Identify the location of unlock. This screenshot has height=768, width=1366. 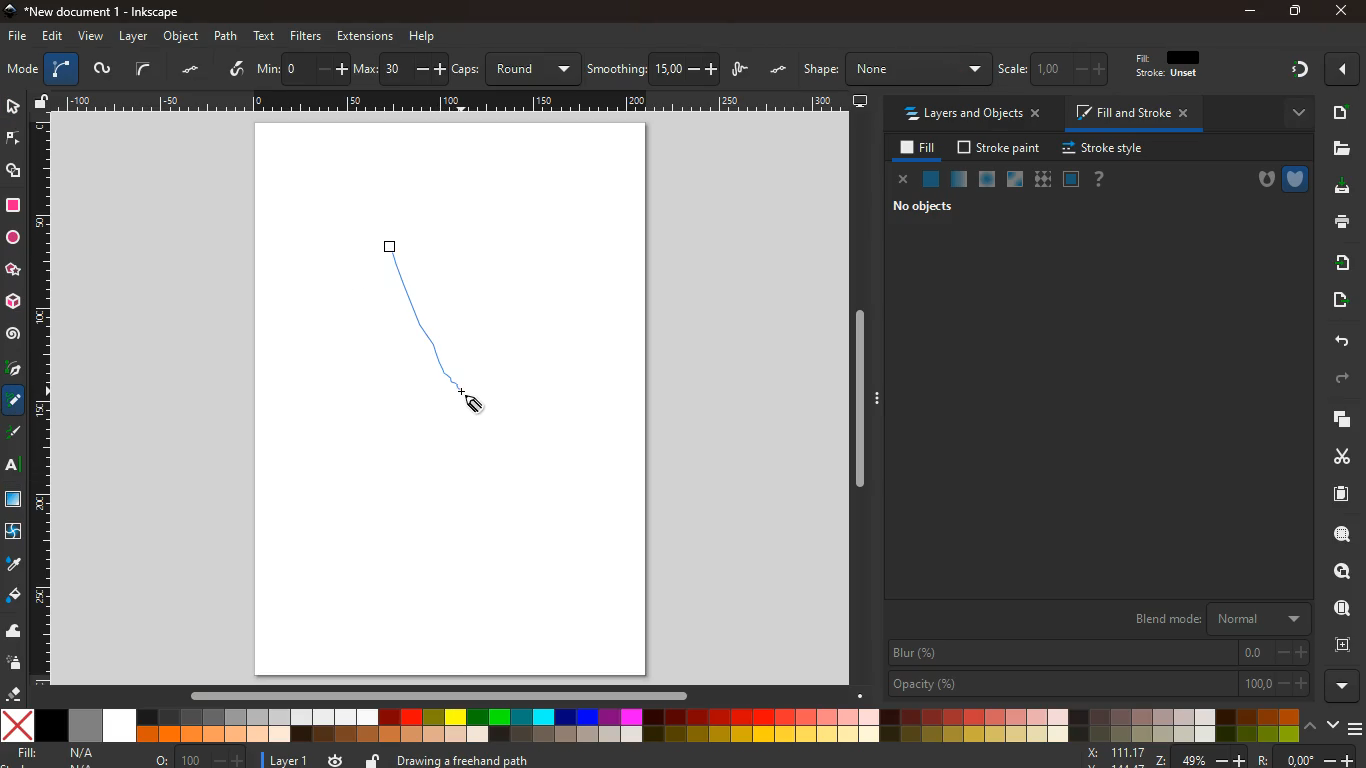
(43, 103).